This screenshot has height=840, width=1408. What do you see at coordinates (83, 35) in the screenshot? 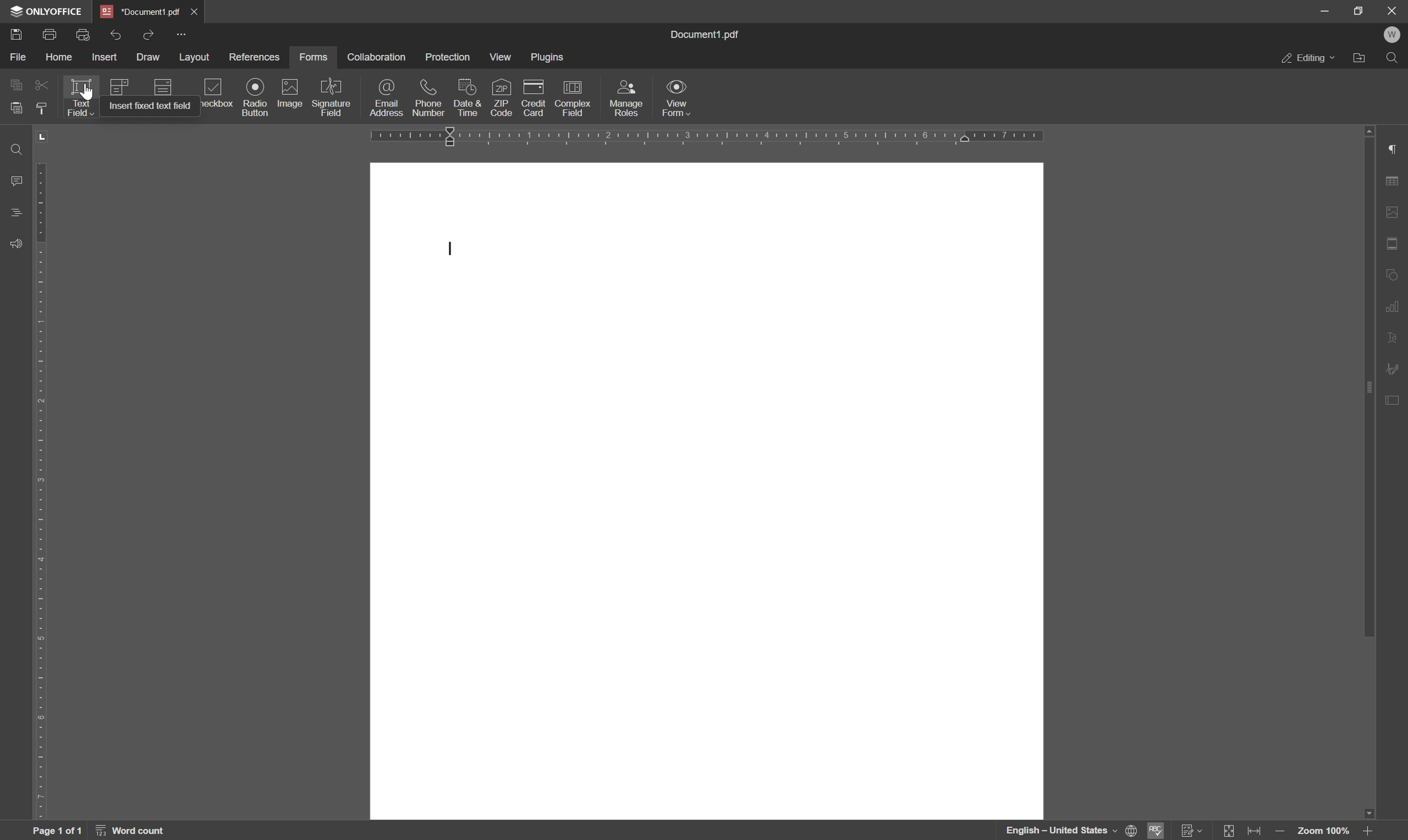
I see `quick print` at bounding box center [83, 35].